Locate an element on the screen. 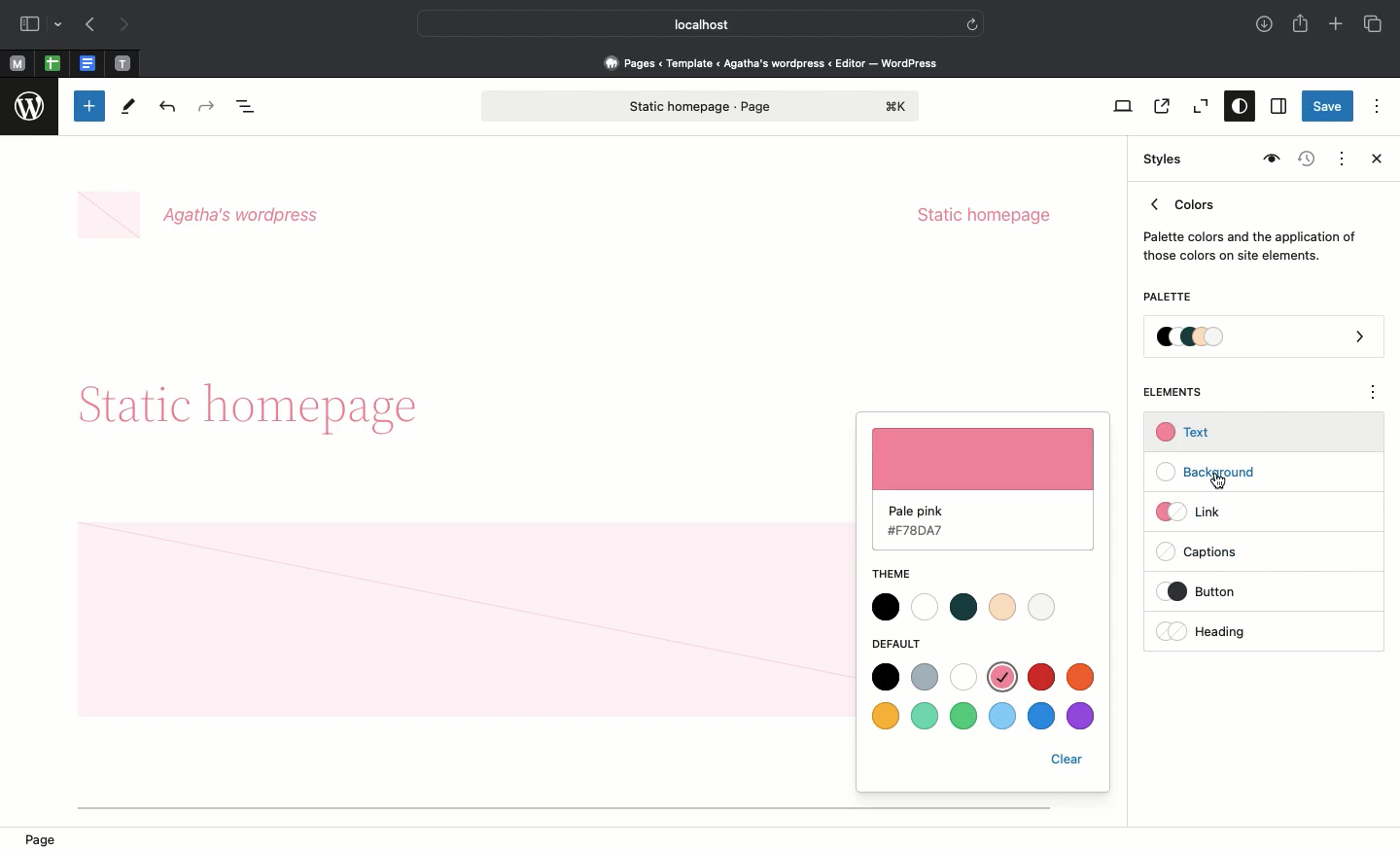 Image resolution: width=1400 pixels, height=850 pixels. Styles is located at coordinates (1235, 108).